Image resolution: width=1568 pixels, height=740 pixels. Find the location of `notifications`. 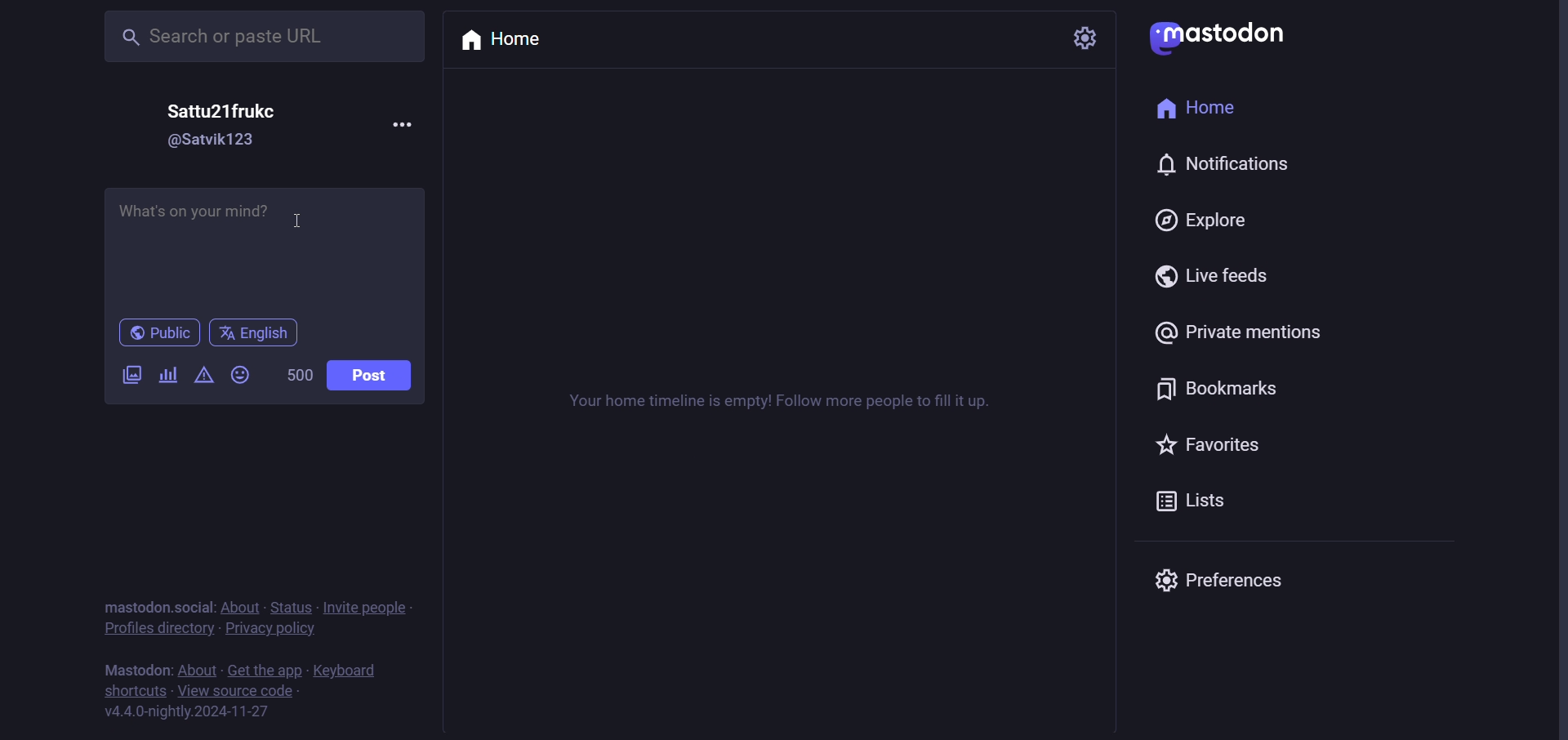

notifications is located at coordinates (1217, 163).